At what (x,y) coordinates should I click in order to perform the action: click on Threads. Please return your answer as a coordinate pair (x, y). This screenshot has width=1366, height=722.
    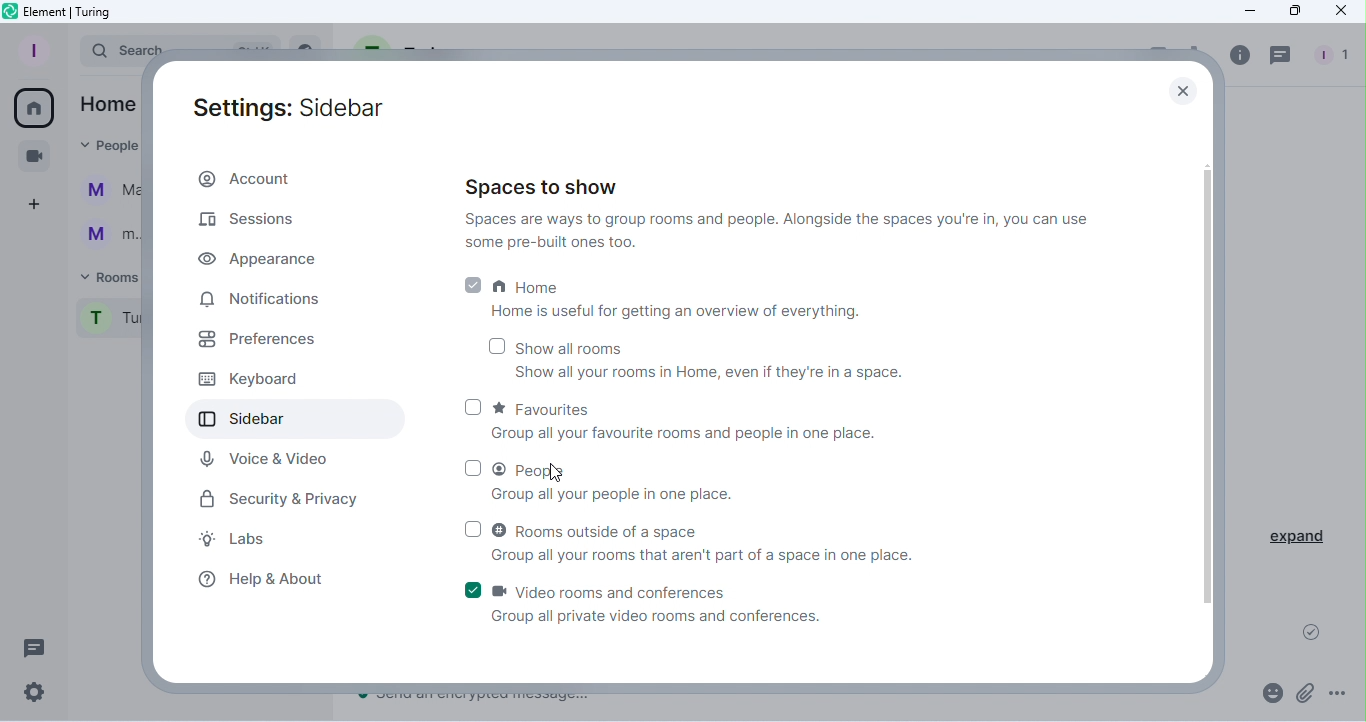
    Looking at the image, I should click on (1280, 56).